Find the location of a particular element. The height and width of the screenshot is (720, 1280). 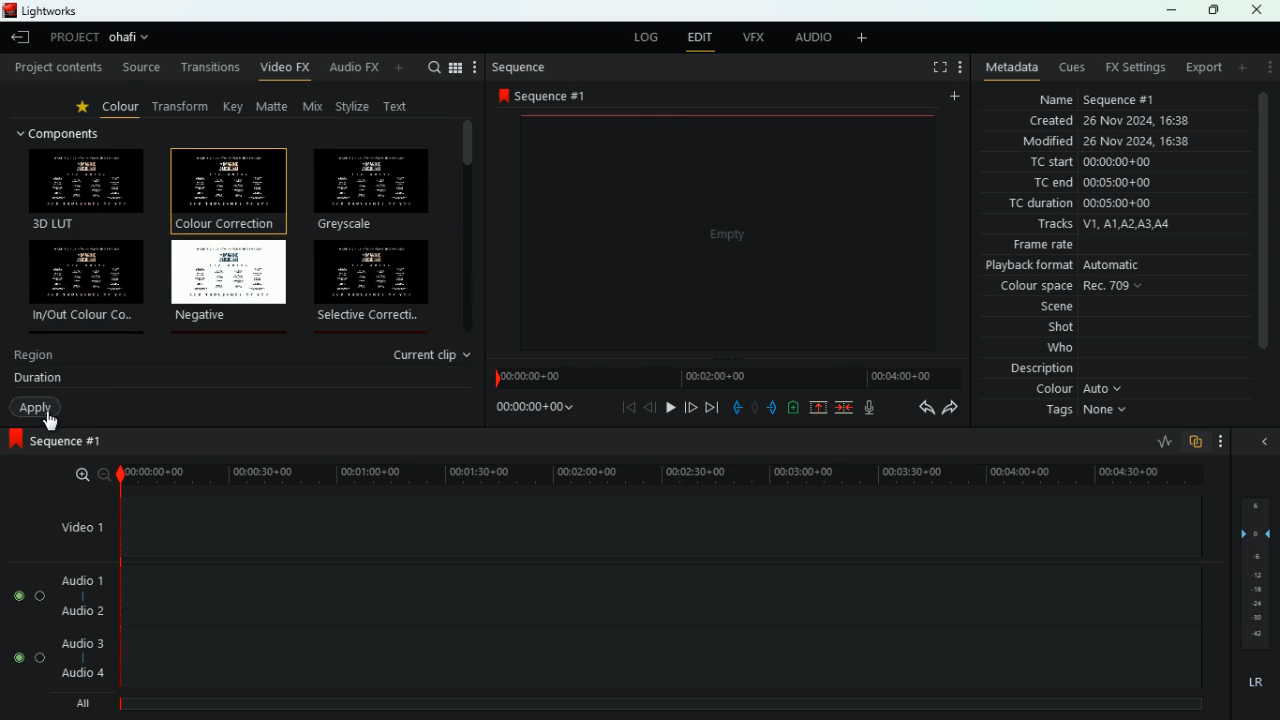

project name is located at coordinates (132, 37).